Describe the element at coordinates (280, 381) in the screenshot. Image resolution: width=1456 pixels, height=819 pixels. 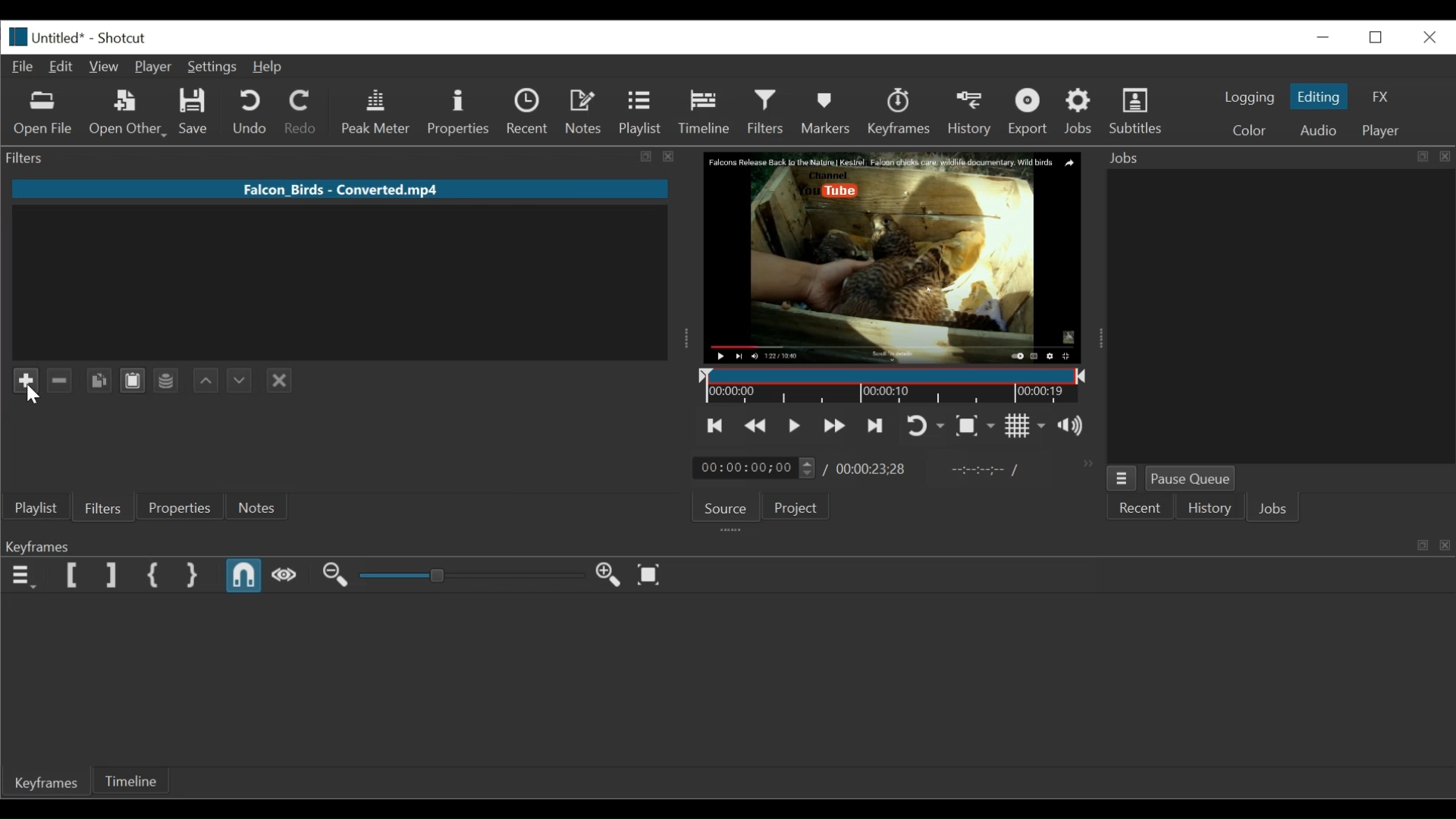
I see `Deselect the filter` at that location.